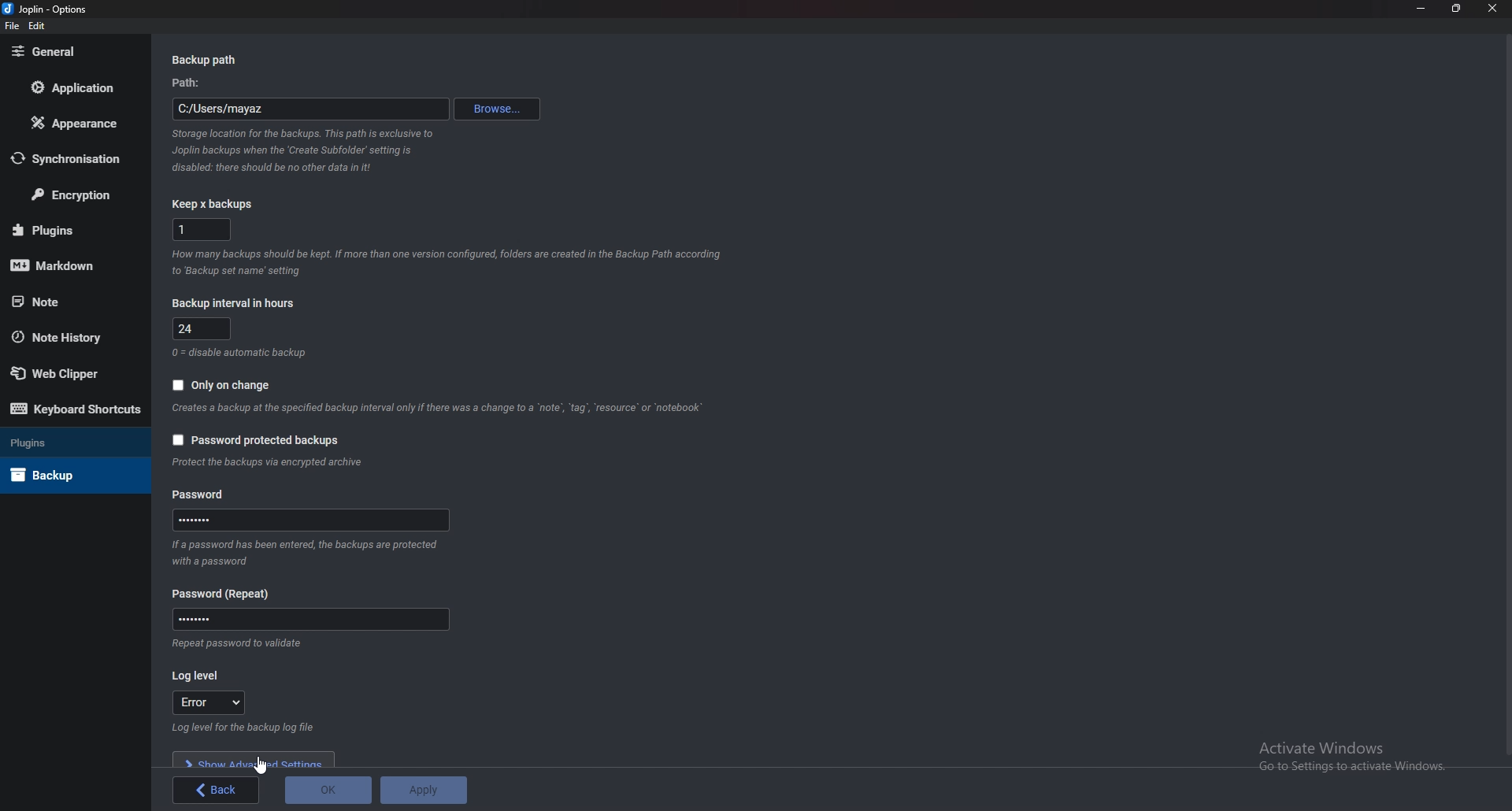 The width and height of the screenshot is (1512, 811). Describe the element at coordinates (66, 229) in the screenshot. I see `plugins` at that location.